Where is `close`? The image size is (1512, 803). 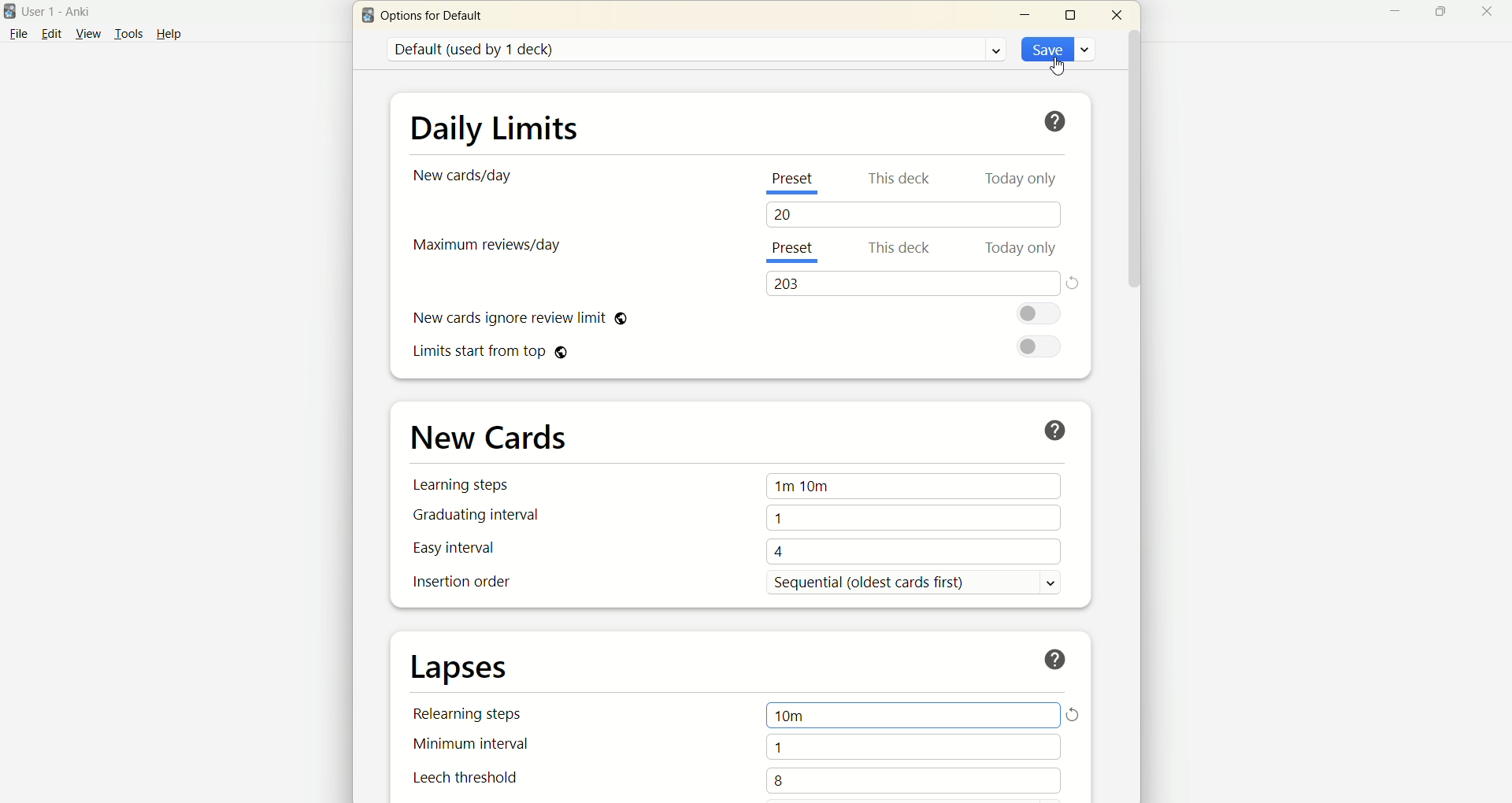 close is located at coordinates (1488, 13).